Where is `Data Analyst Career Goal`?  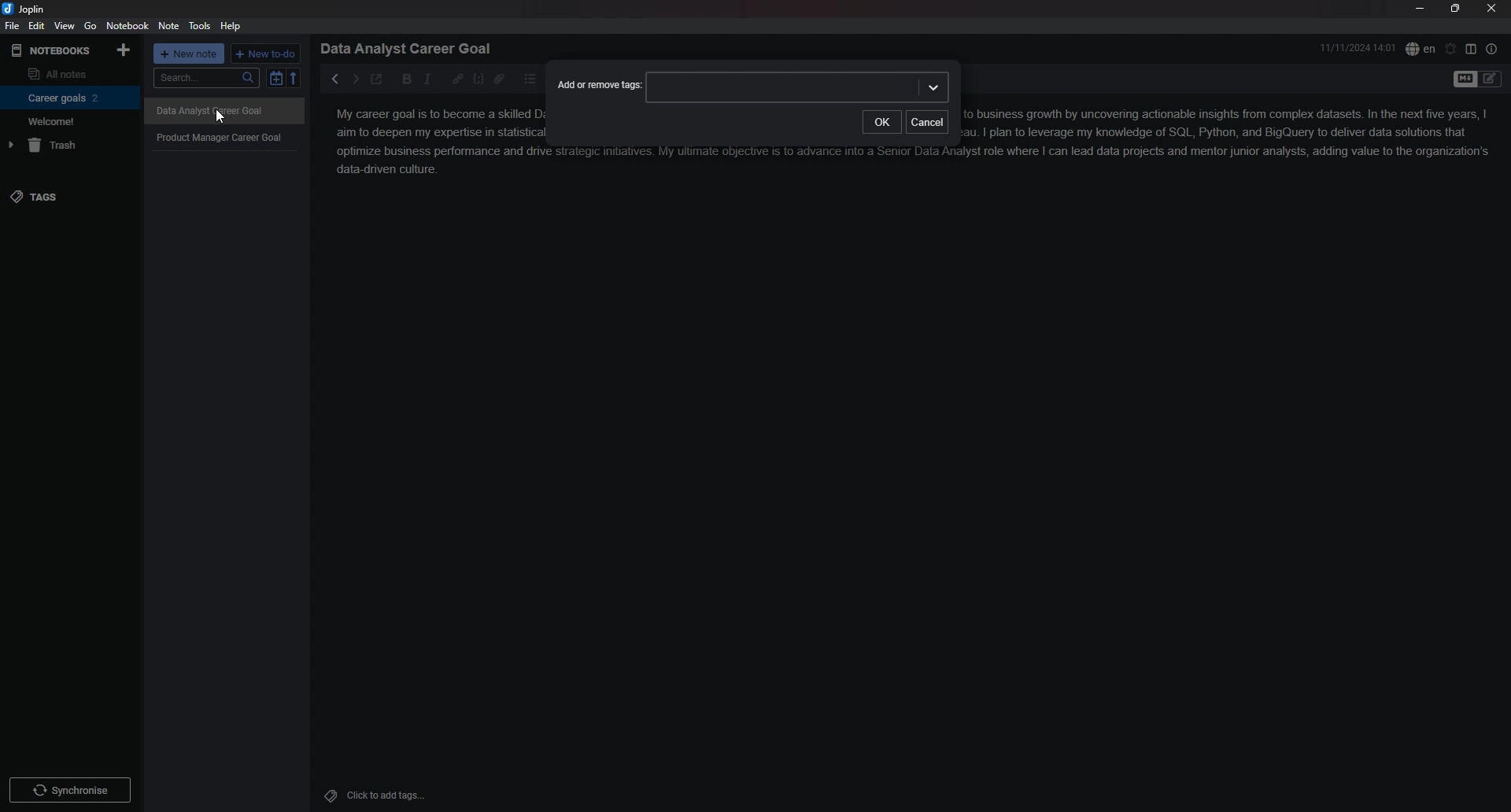 Data Analyst Career Goal is located at coordinates (412, 48).